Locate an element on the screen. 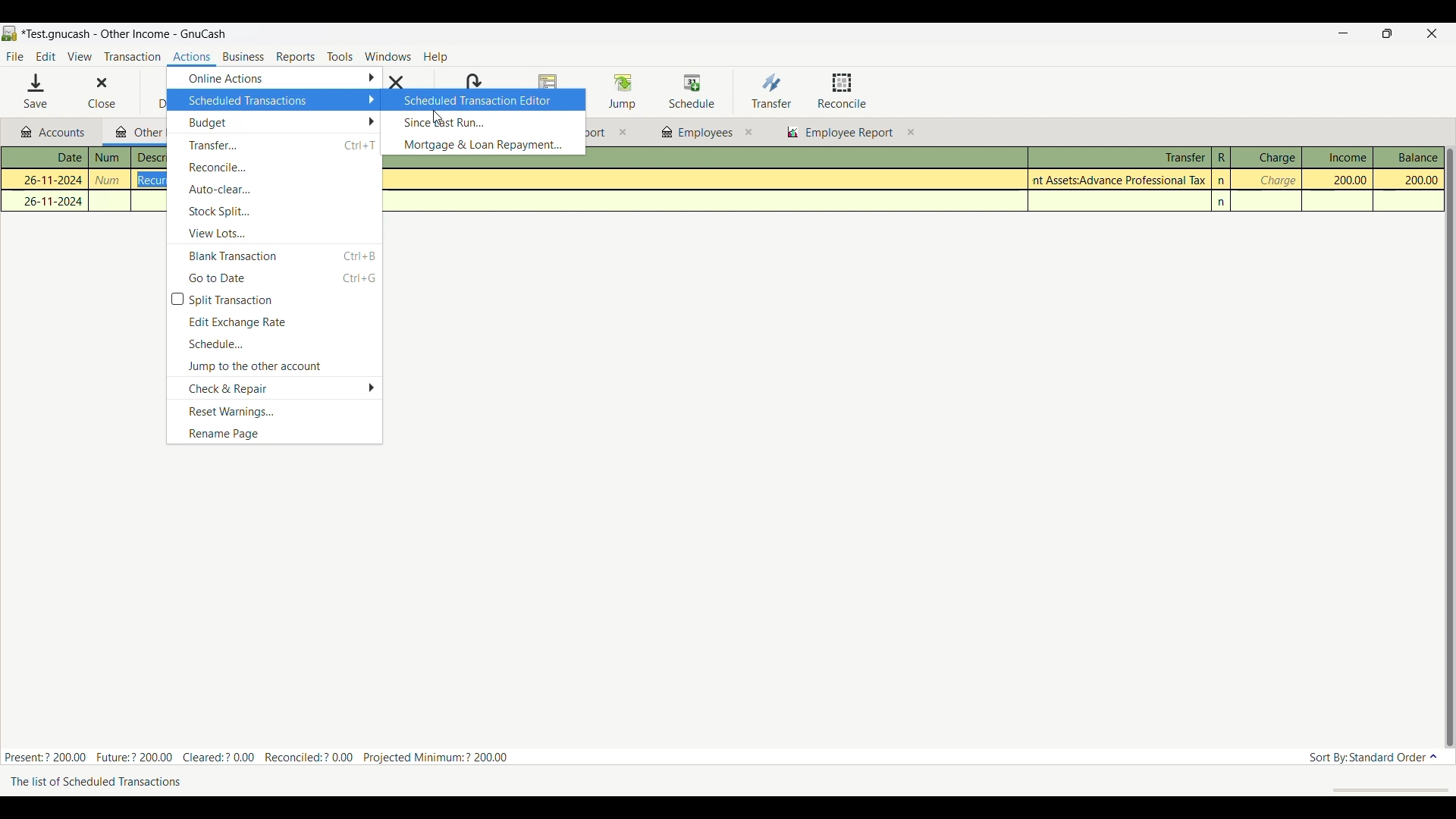 This screenshot has height=819, width=1456. Transfer column is located at coordinates (1119, 155).